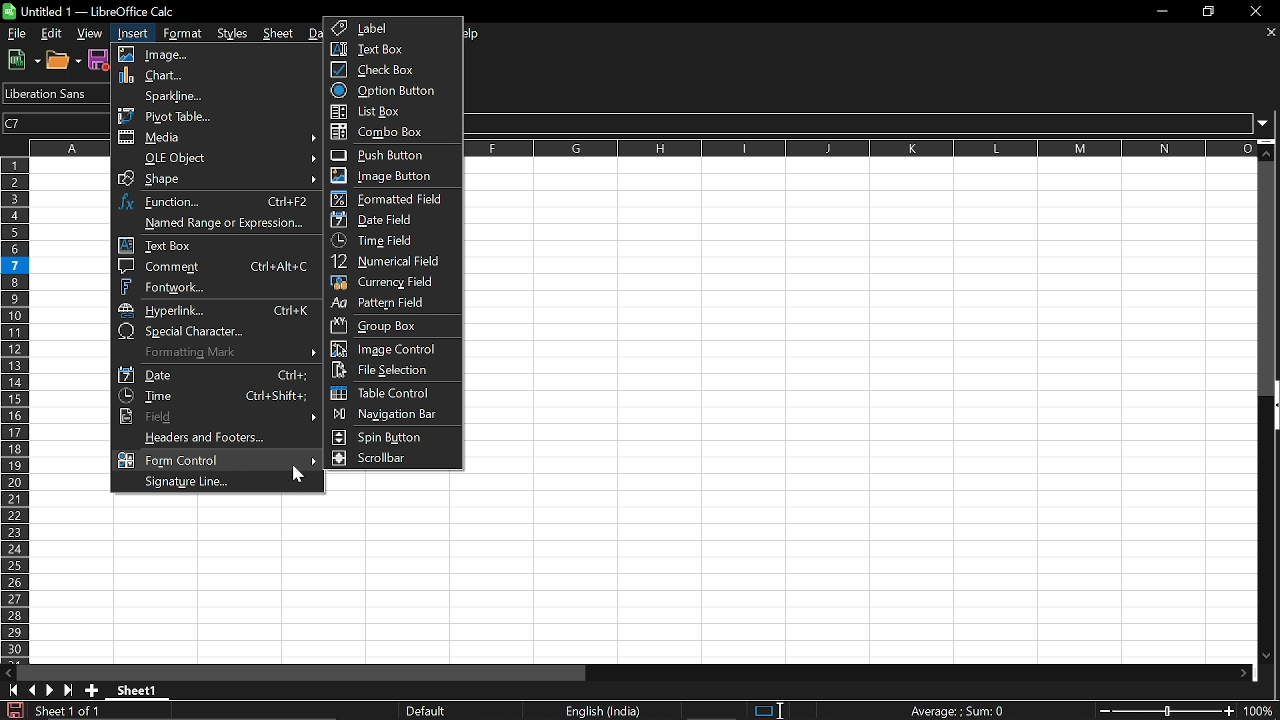 This screenshot has height=720, width=1280. What do you see at coordinates (386, 459) in the screenshot?
I see `Scrollbar` at bounding box center [386, 459].